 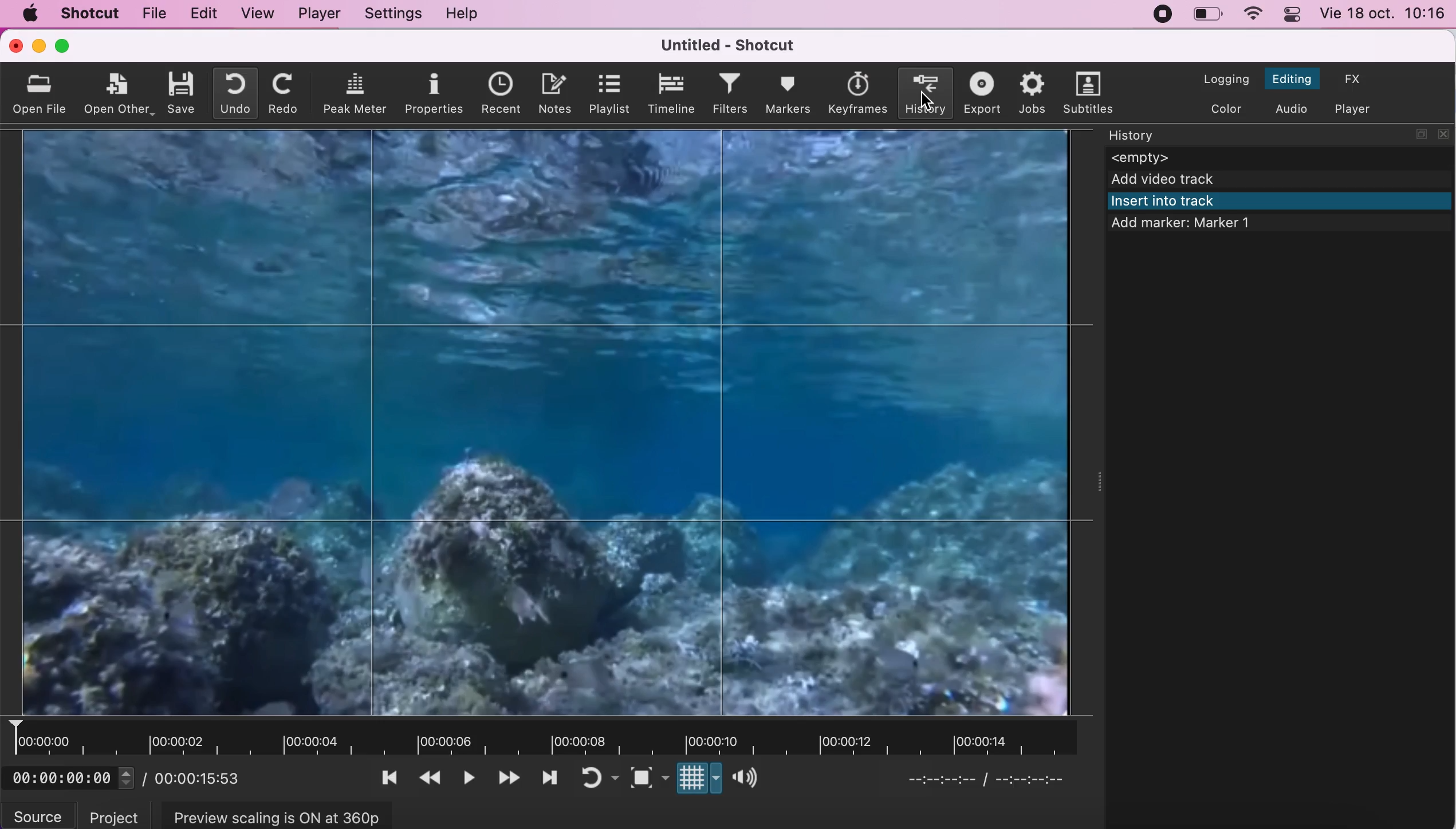 What do you see at coordinates (91, 14) in the screenshot?
I see `shotcut` at bounding box center [91, 14].